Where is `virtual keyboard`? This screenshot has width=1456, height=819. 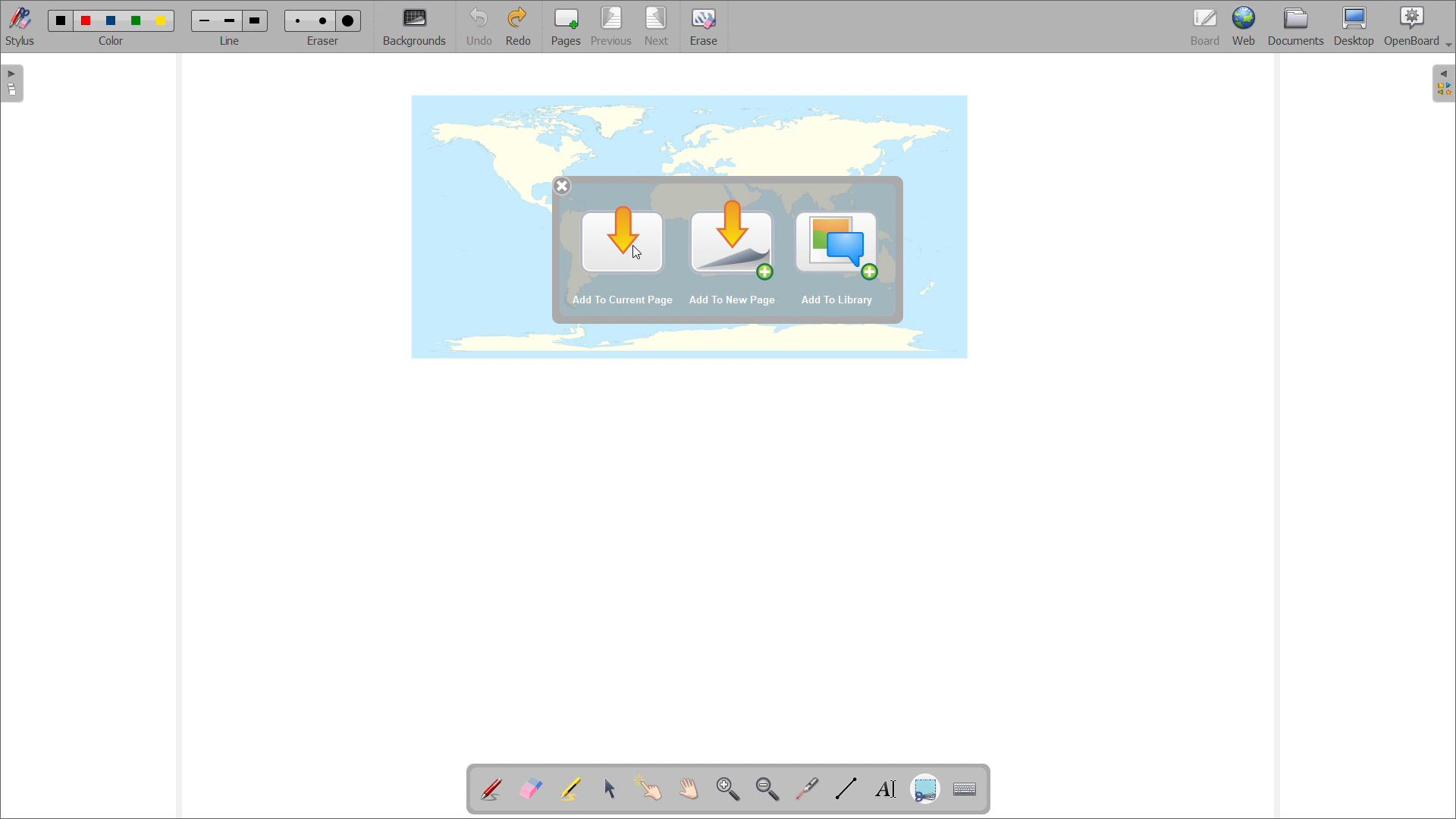 virtual keyboard is located at coordinates (965, 789).